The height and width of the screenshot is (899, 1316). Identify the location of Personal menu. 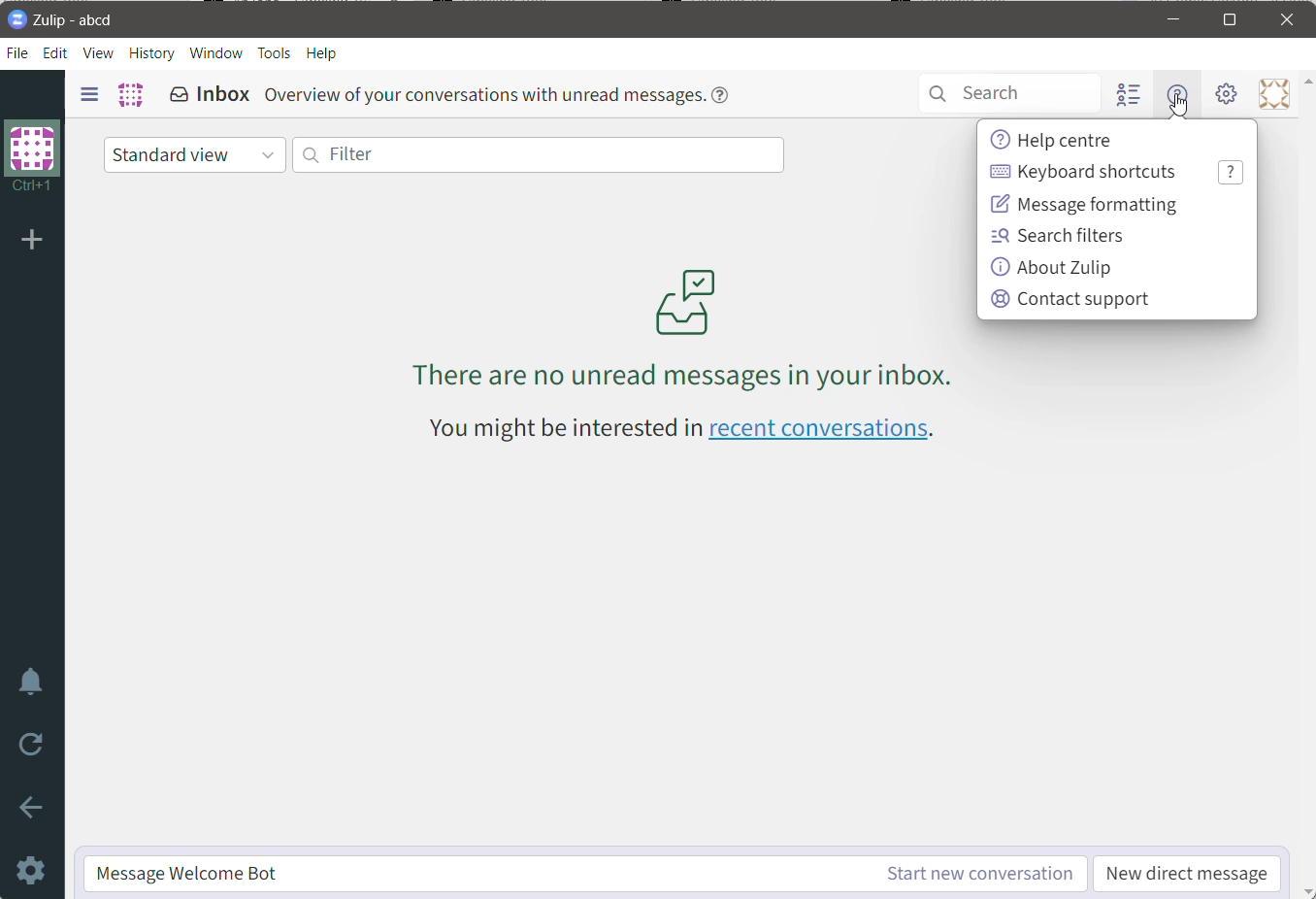
(1275, 93).